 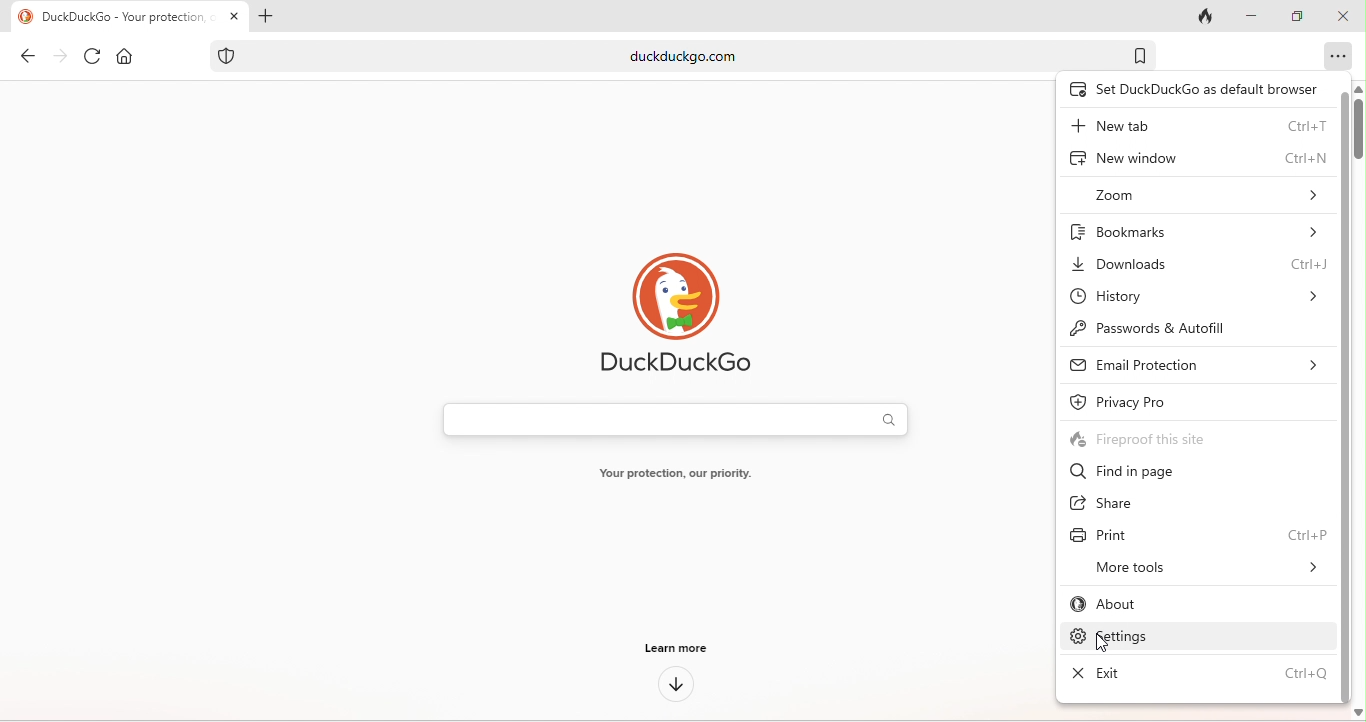 What do you see at coordinates (128, 17) in the screenshot?
I see `duckduckgo-your protection our priority` at bounding box center [128, 17].